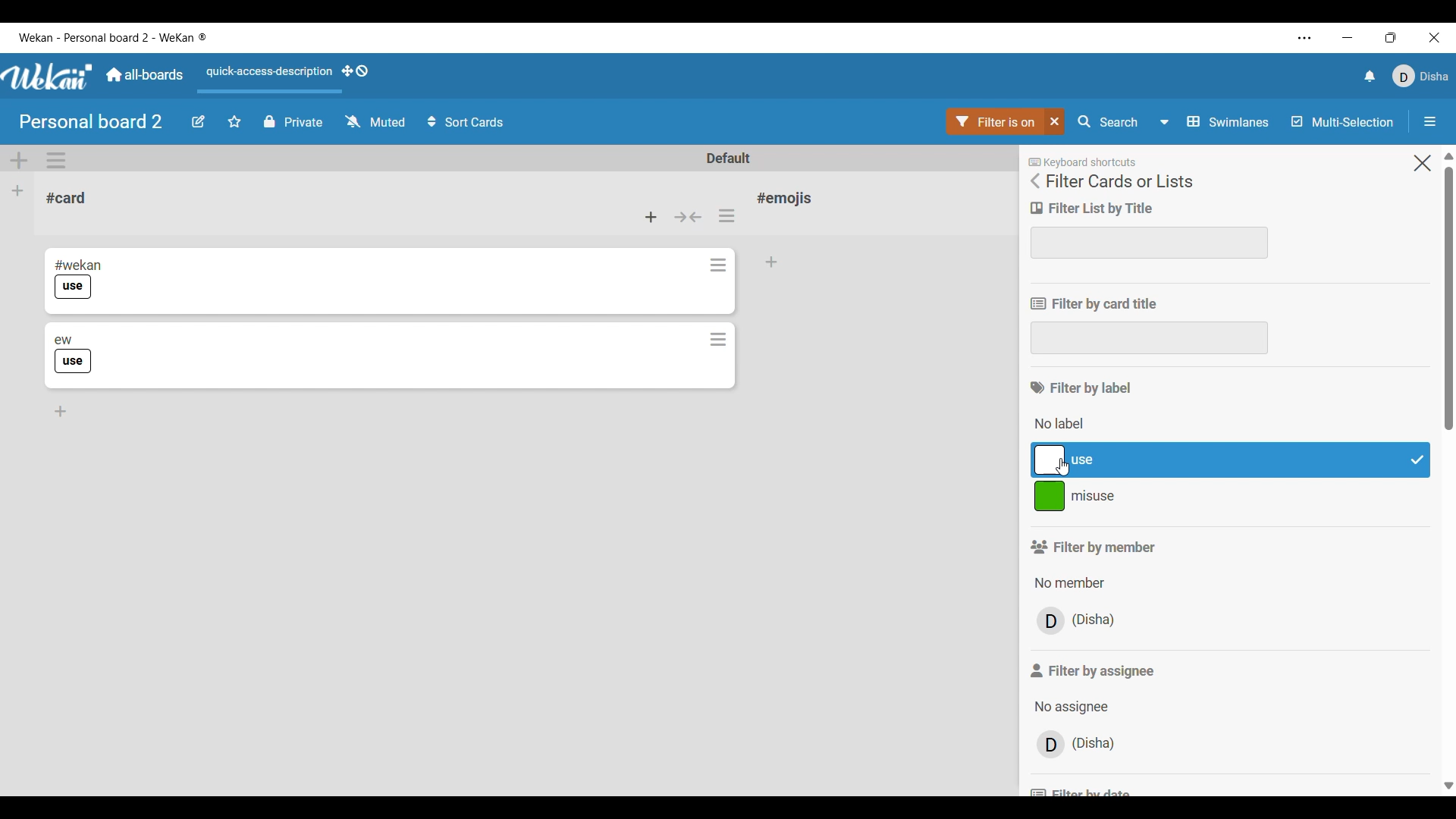  What do you see at coordinates (64, 338) in the screenshot?
I see `ew` at bounding box center [64, 338].